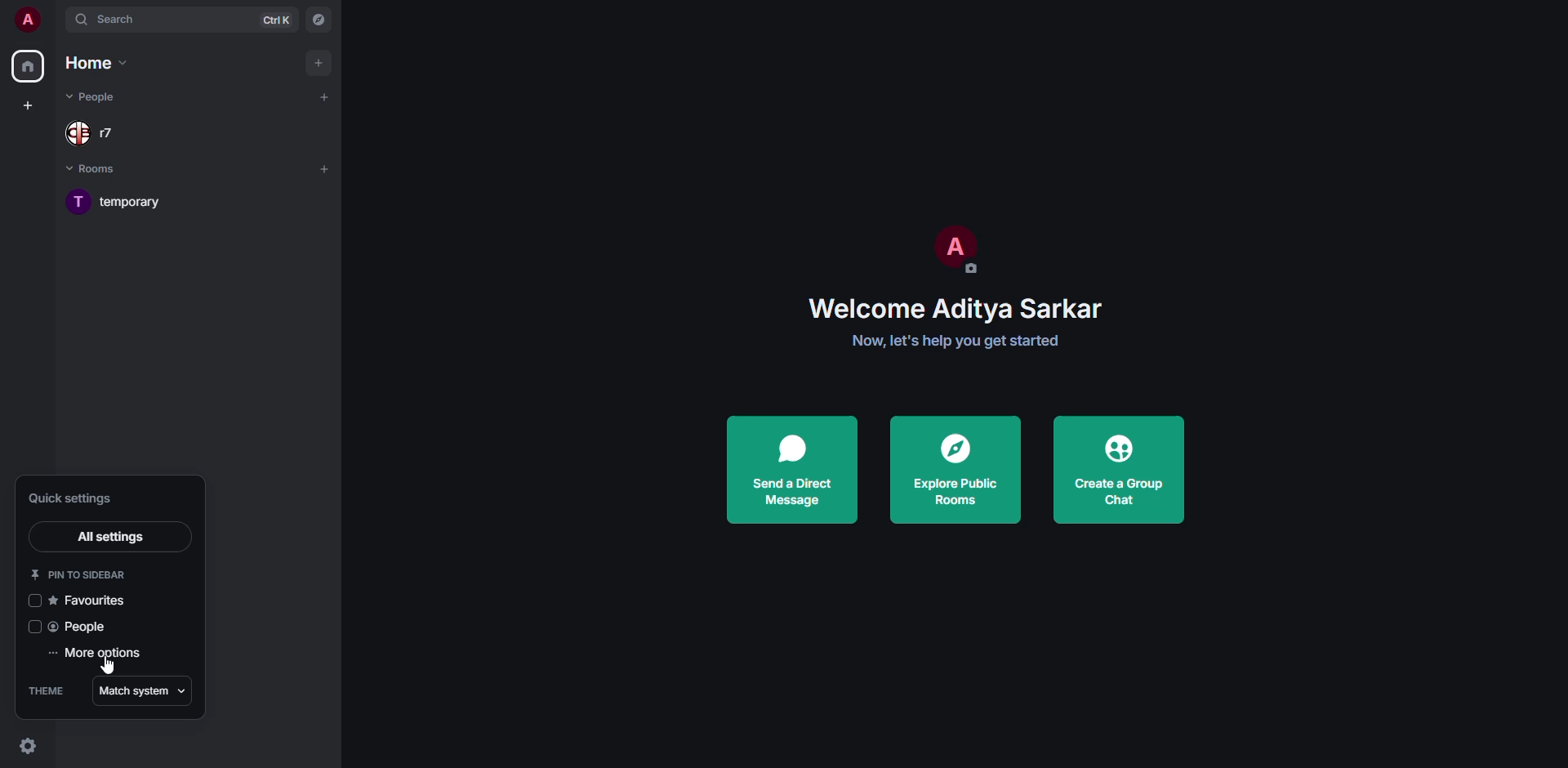  Describe the element at coordinates (50, 690) in the screenshot. I see `theme` at that location.